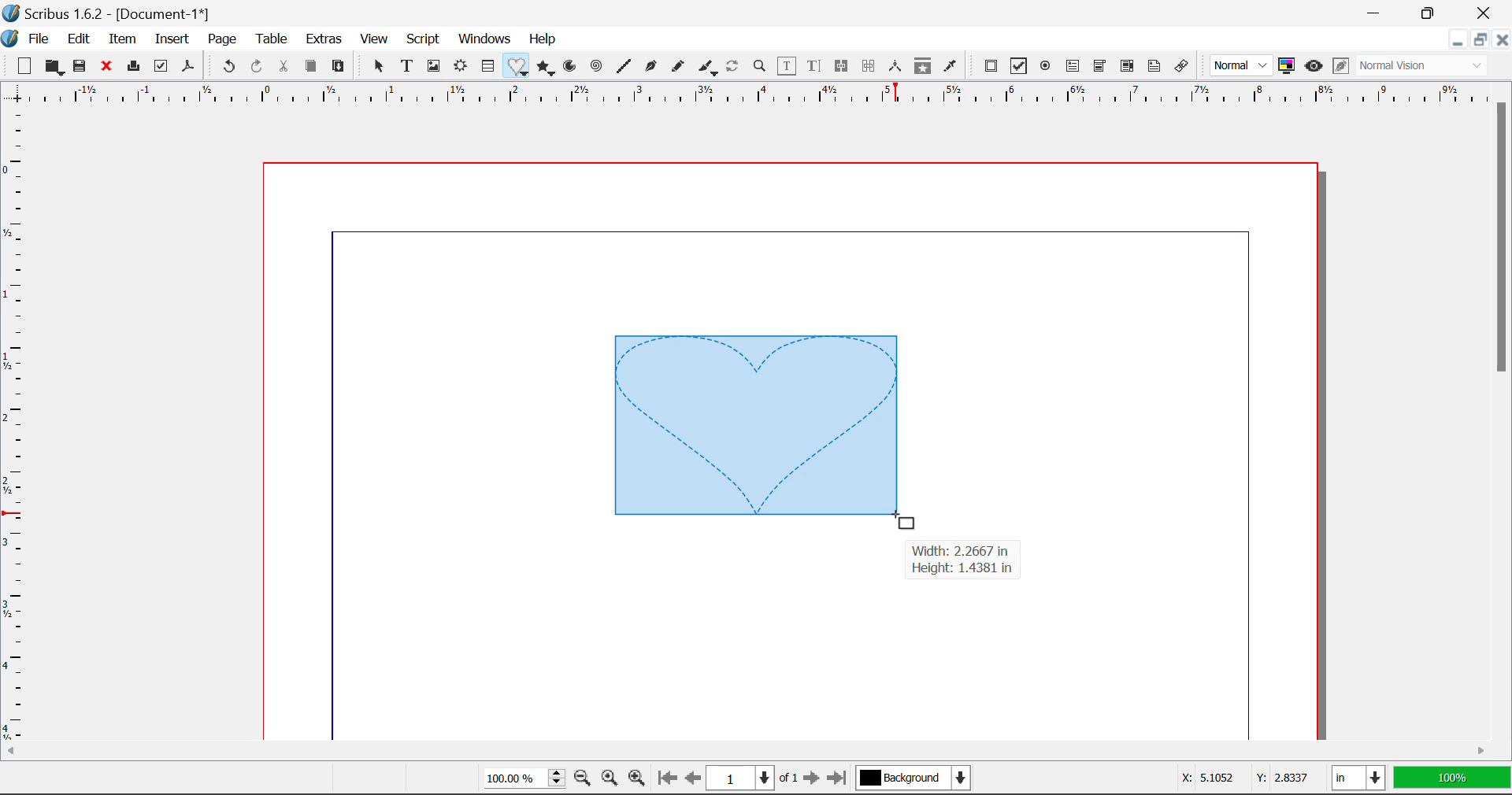 The height and width of the screenshot is (795, 1512). Describe the element at coordinates (753, 778) in the screenshot. I see `1 of 1` at that location.